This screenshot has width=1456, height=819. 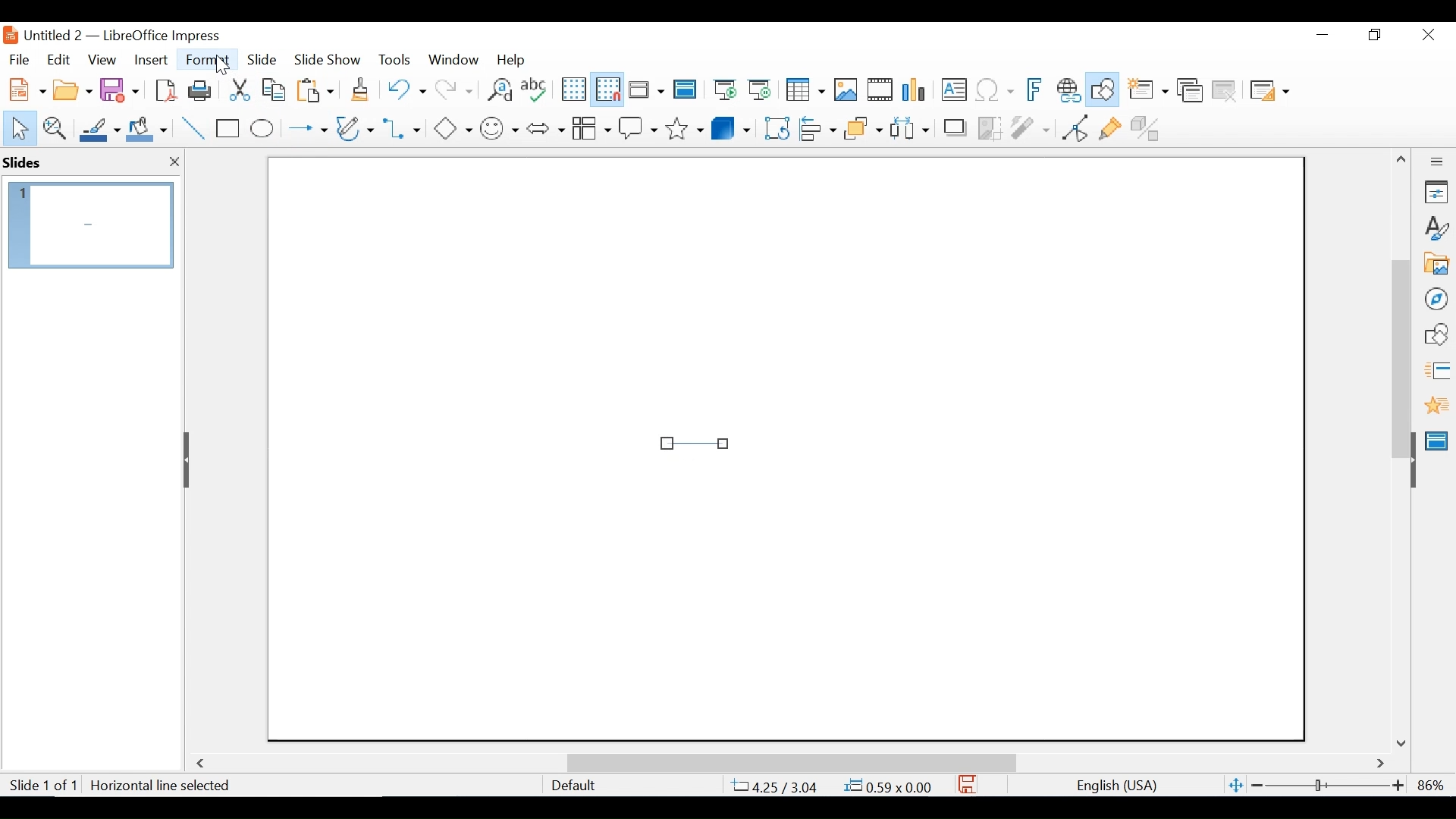 What do you see at coordinates (189, 460) in the screenshot?
I see `Hide` at bounding box center [189, 460].